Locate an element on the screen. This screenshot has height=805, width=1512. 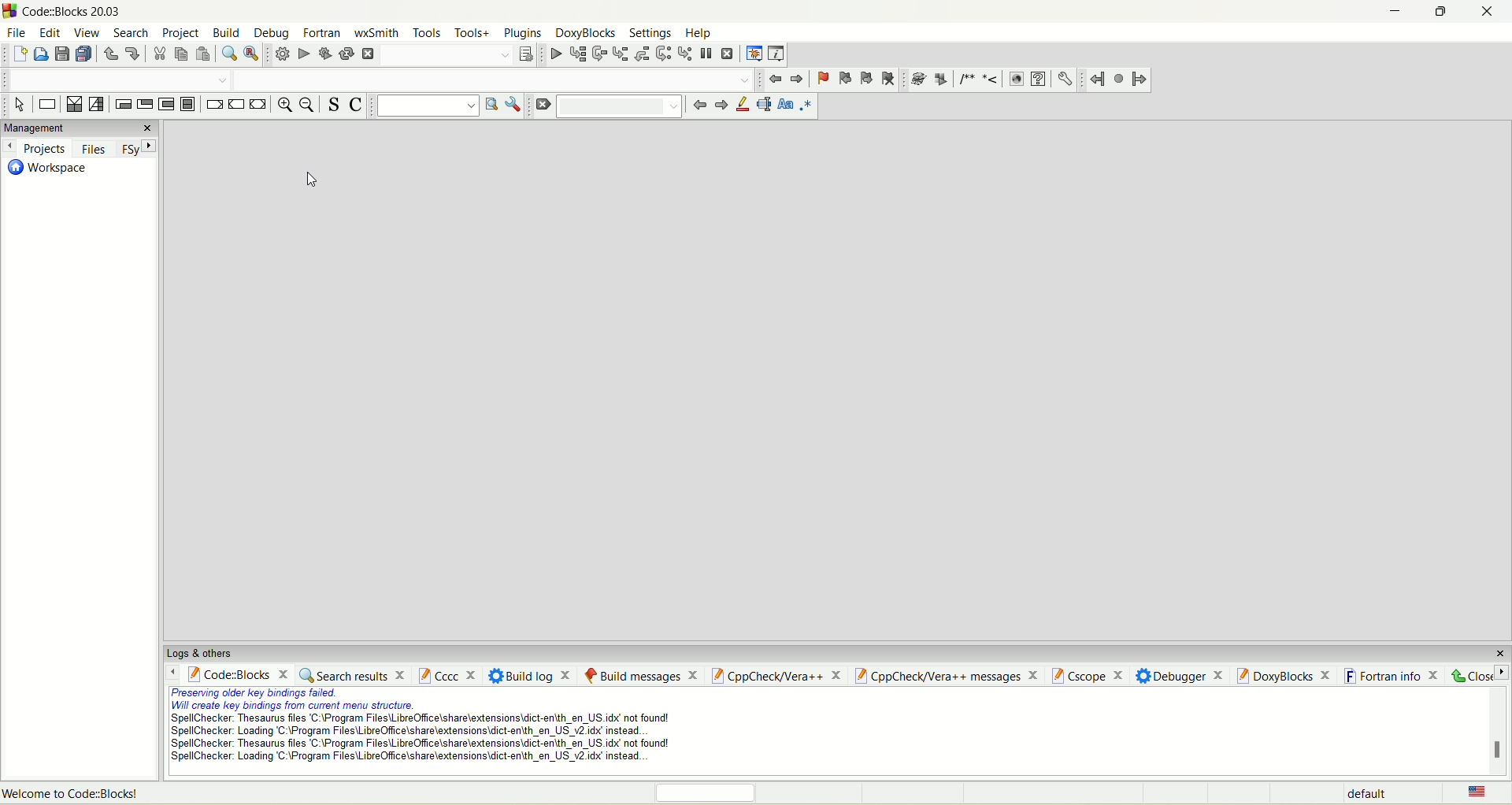
find is located at coordinates (226, 54).